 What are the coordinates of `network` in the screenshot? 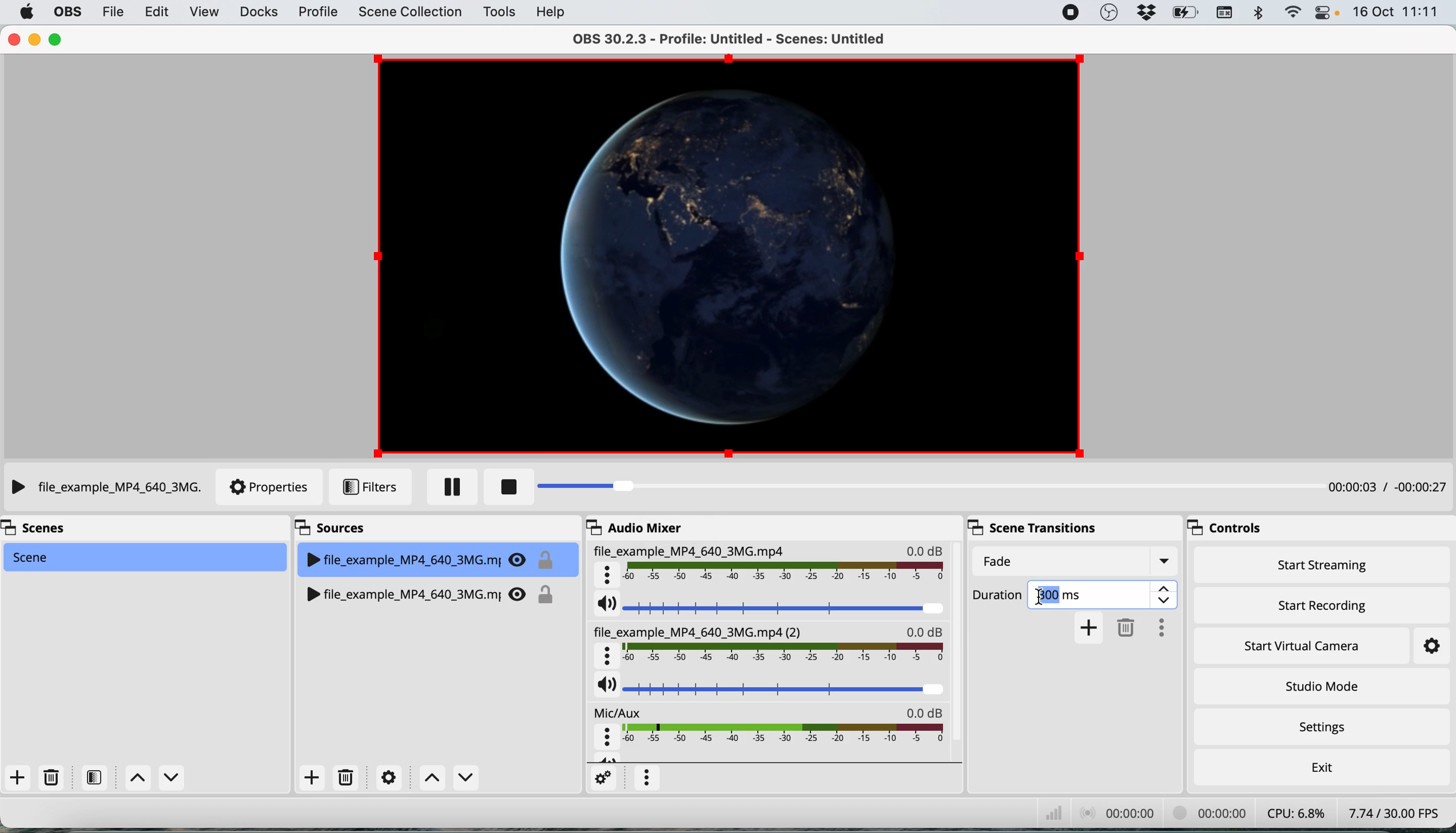 It's located at (1039, 812).